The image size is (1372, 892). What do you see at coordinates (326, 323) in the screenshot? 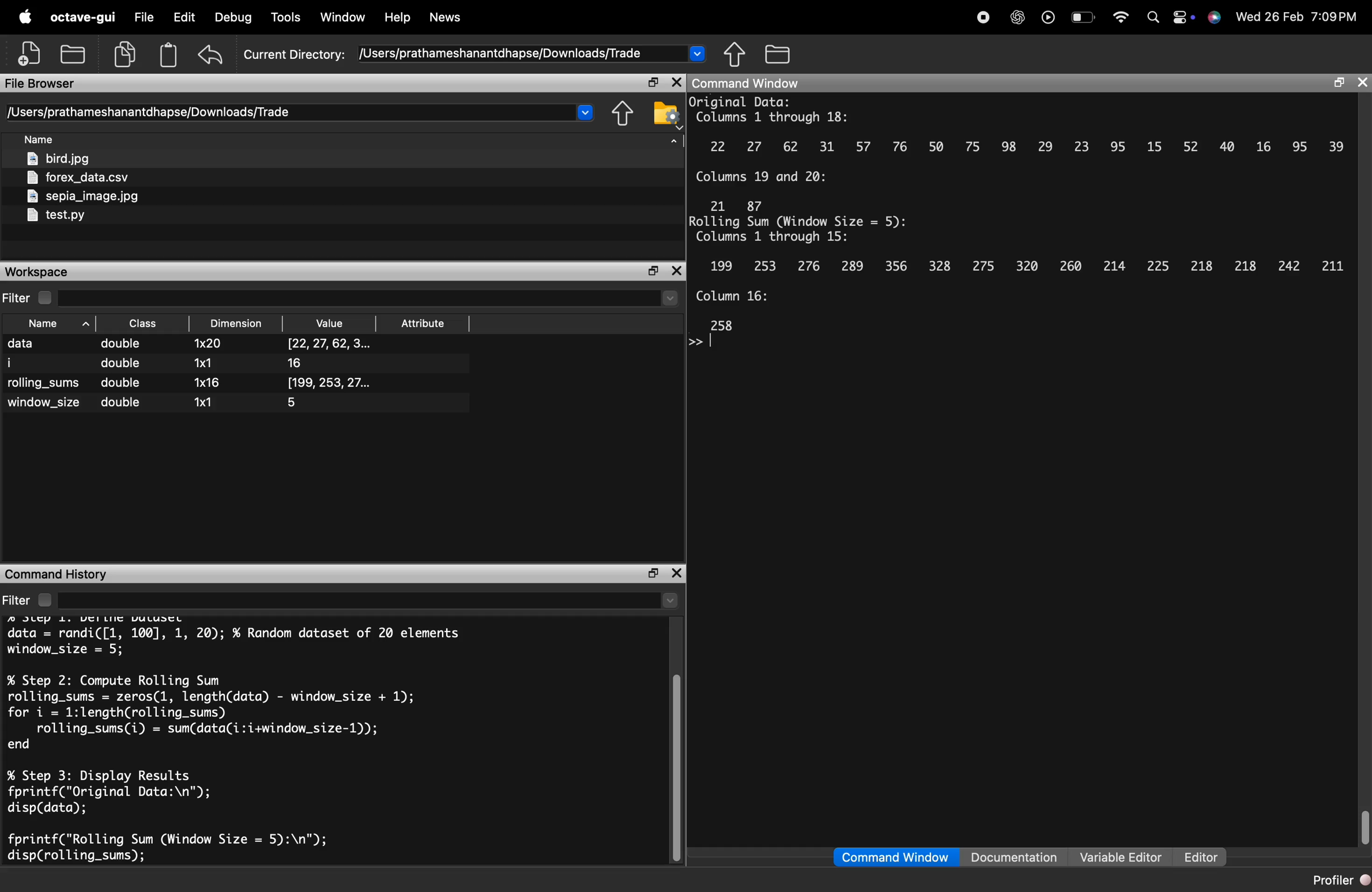
I see `sort by value` at bounding box center [326, 323].